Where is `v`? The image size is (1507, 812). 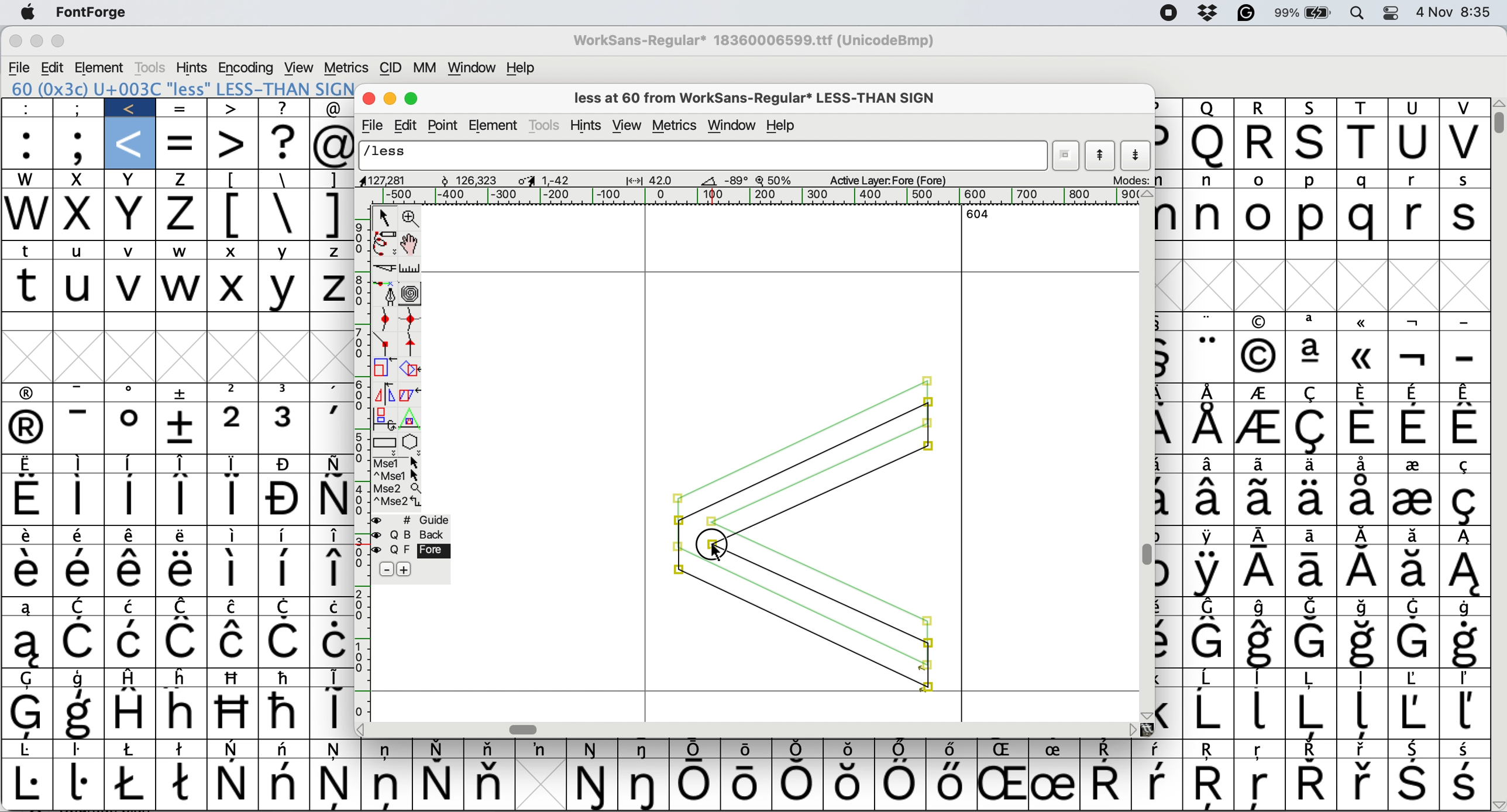 v is located at coordinates (131, 285).